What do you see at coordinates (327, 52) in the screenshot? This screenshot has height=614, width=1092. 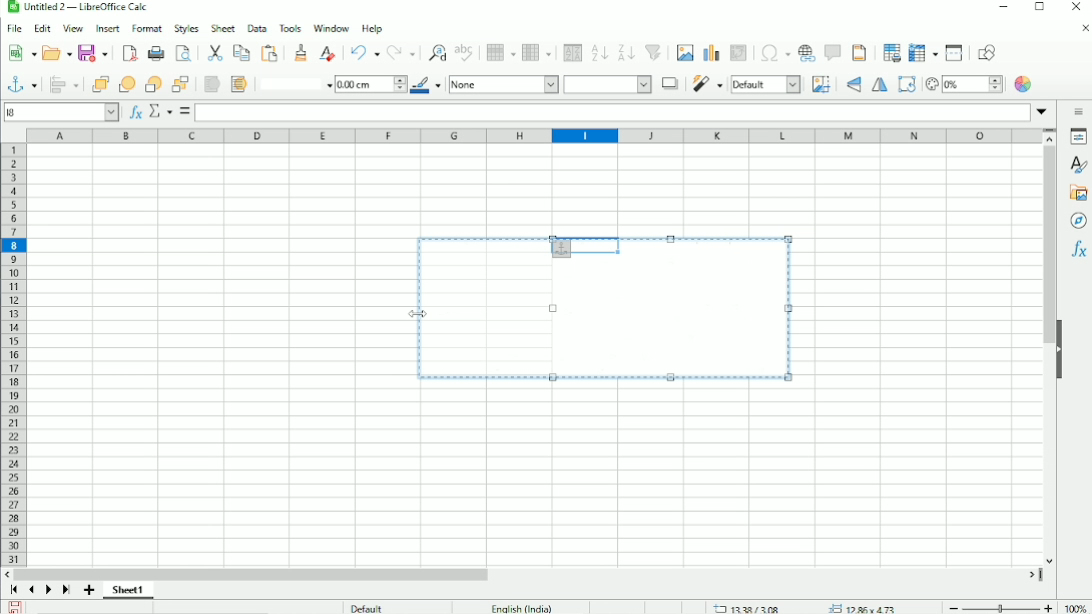 I see `Clear direct formatting` at bounding box center [327, 52].